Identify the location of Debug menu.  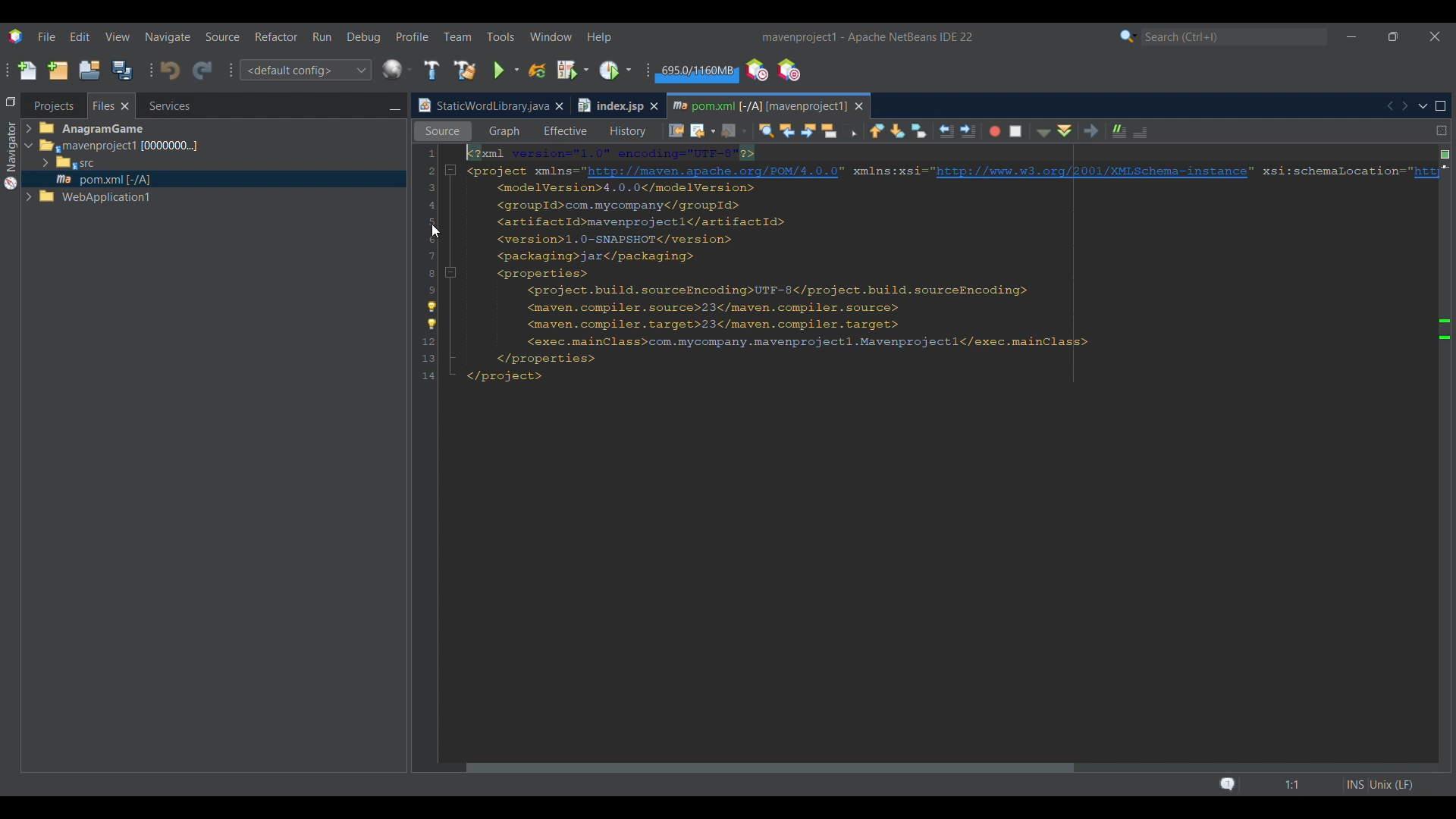
(364, 37).